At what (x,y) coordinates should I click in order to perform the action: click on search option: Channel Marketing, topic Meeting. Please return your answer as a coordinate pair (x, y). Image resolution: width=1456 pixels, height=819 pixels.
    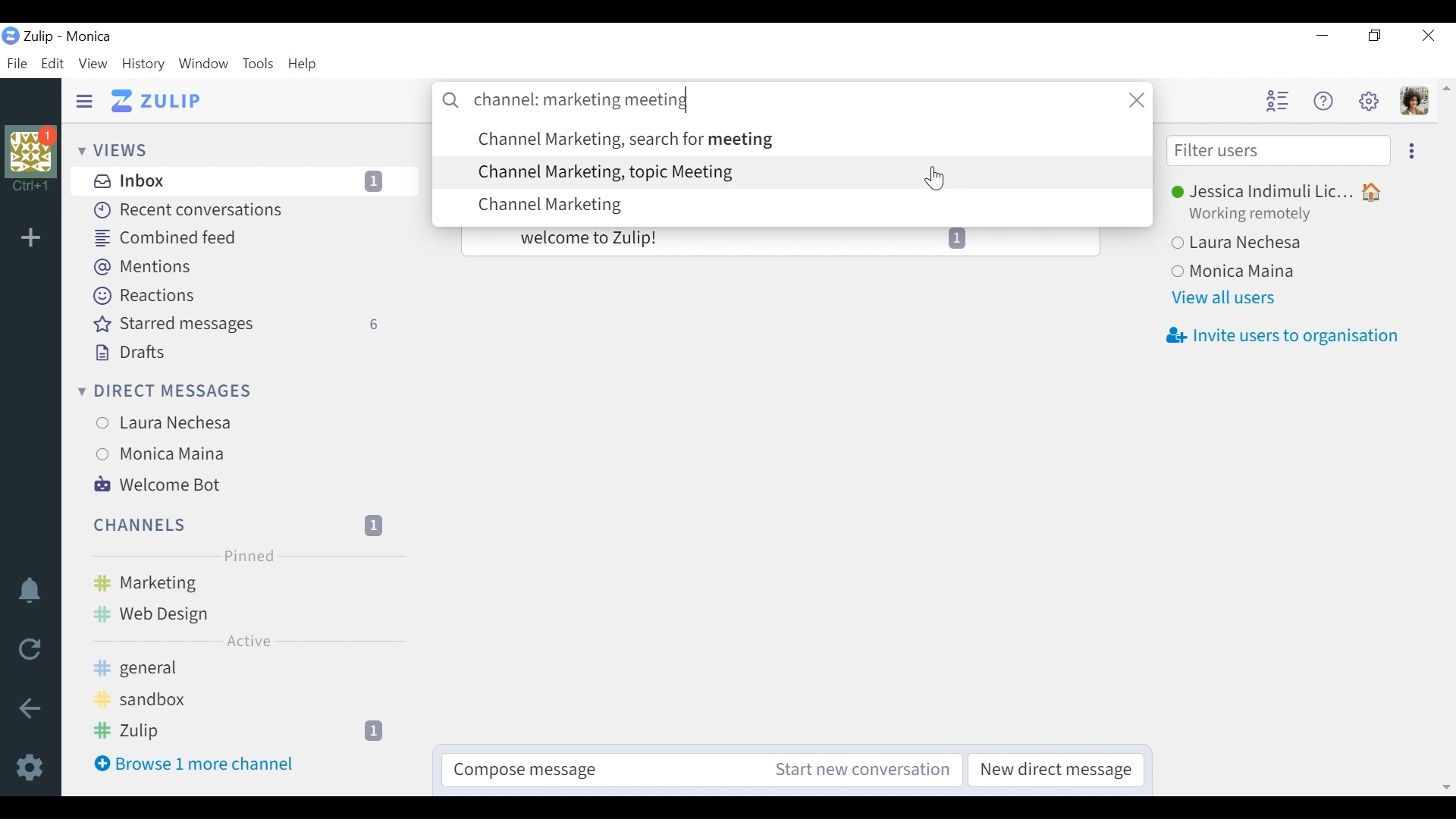
    Looking at the image, I should click on (786, 172).